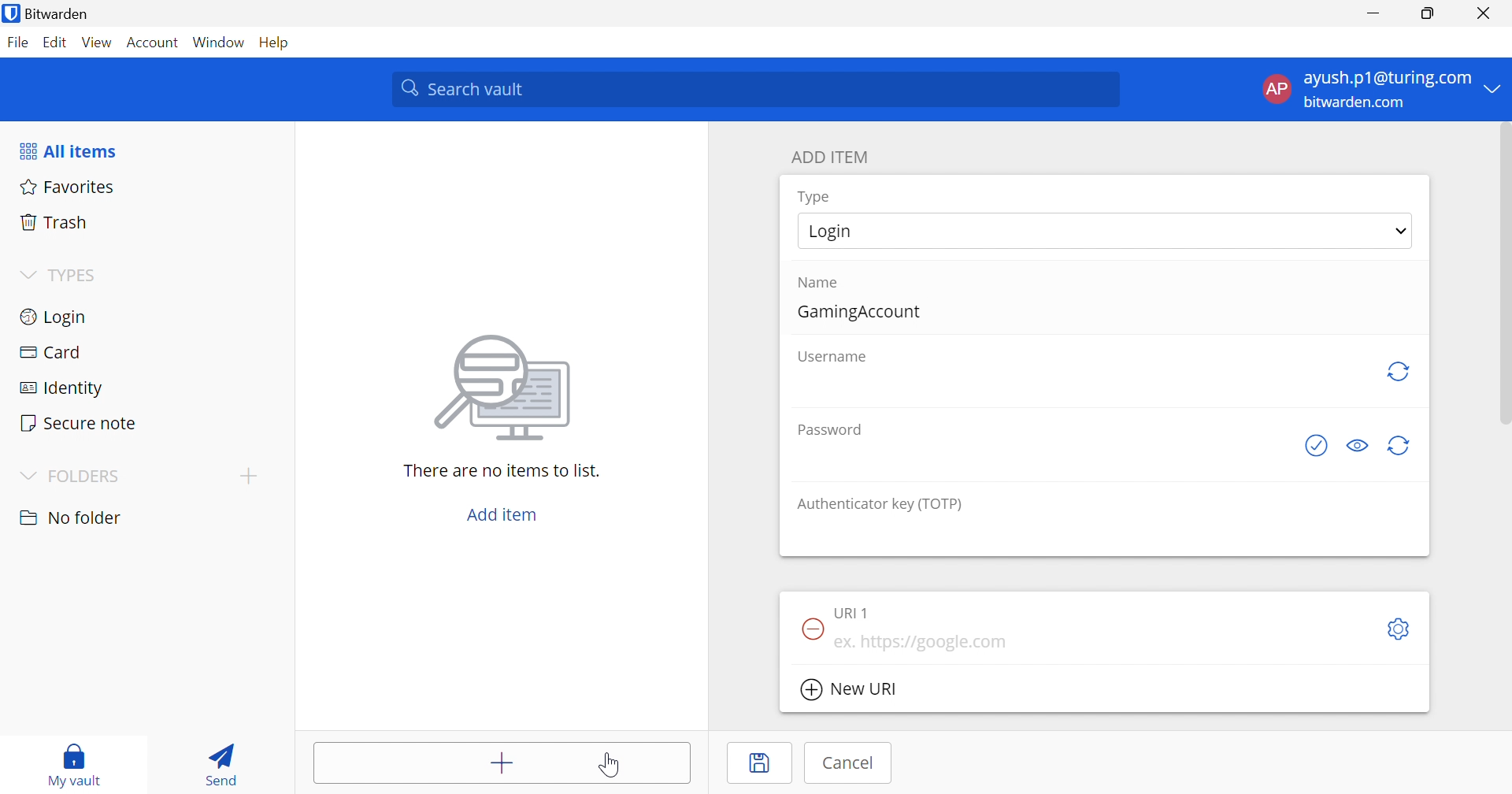  I want to click on New URI, so click(848, 689).